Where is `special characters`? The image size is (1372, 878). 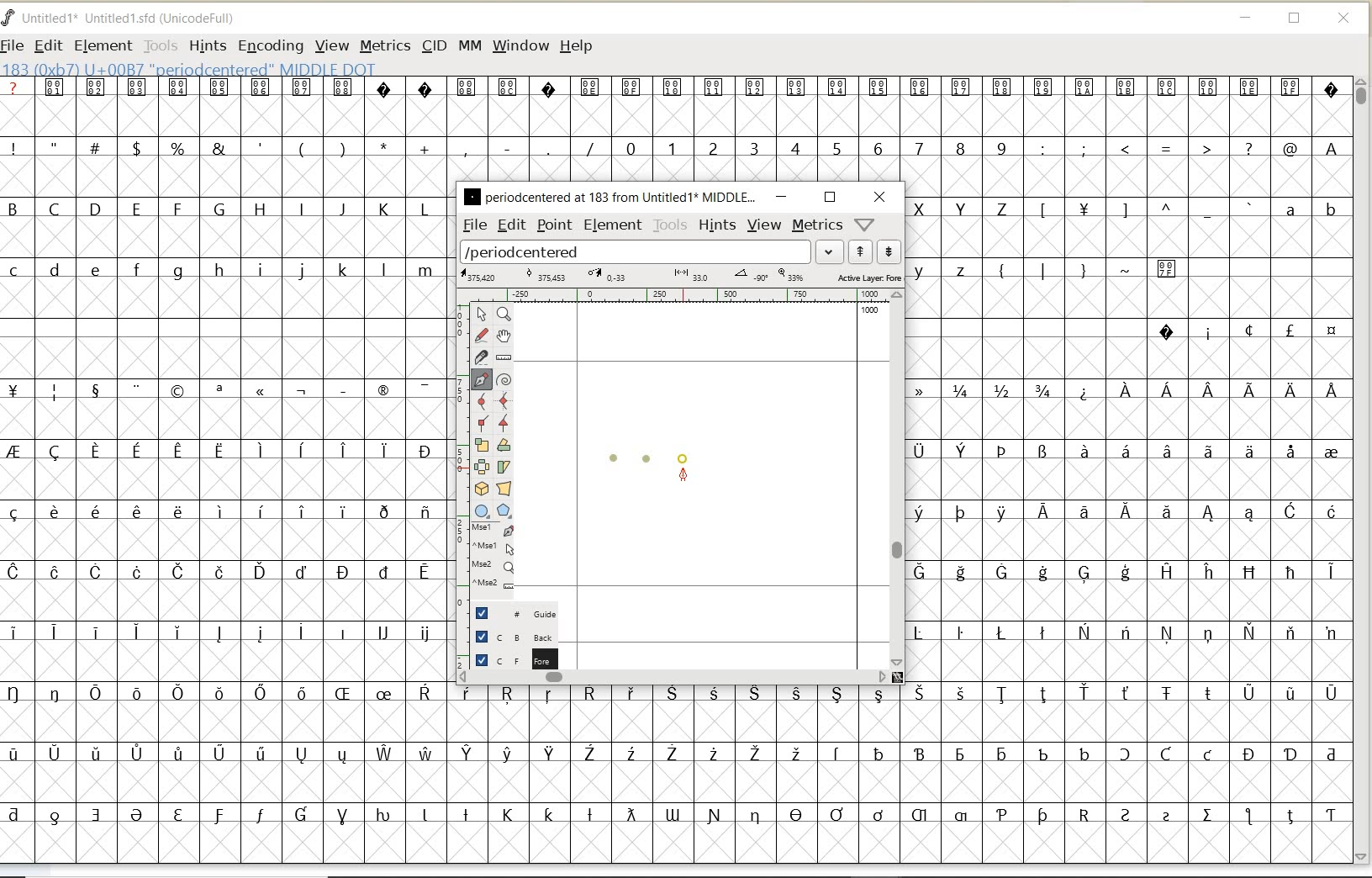
special characters is located at coordinates (1193, 149).